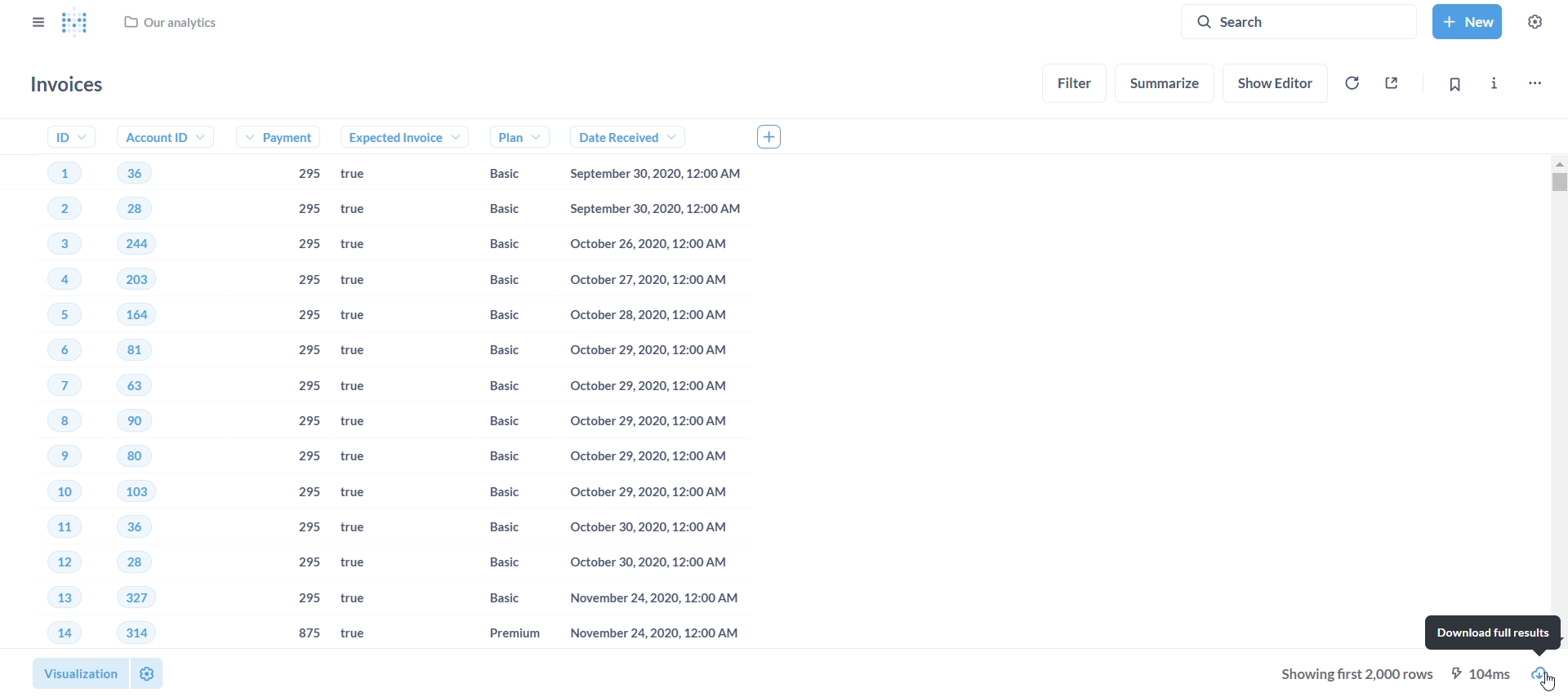 This screenshot has width=1568, height=697. Describe the element at coordinates (1560, 402) in the screenshot. I see `vertical scroll bar` at that location.